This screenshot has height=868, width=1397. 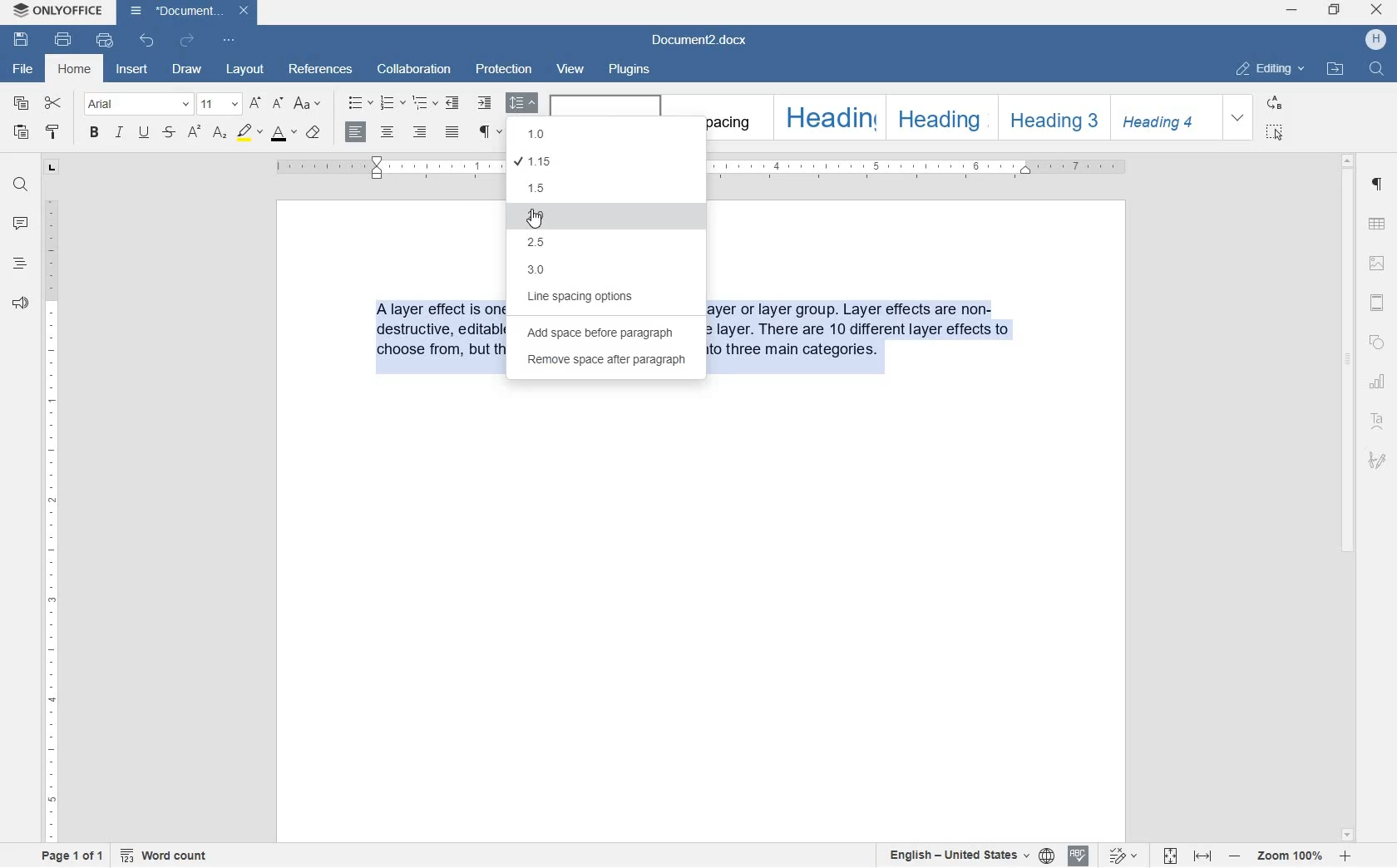 What do you see at coordinates (184, 42) in the screenshot?
I see `redo` at bounding box center [184, 42].